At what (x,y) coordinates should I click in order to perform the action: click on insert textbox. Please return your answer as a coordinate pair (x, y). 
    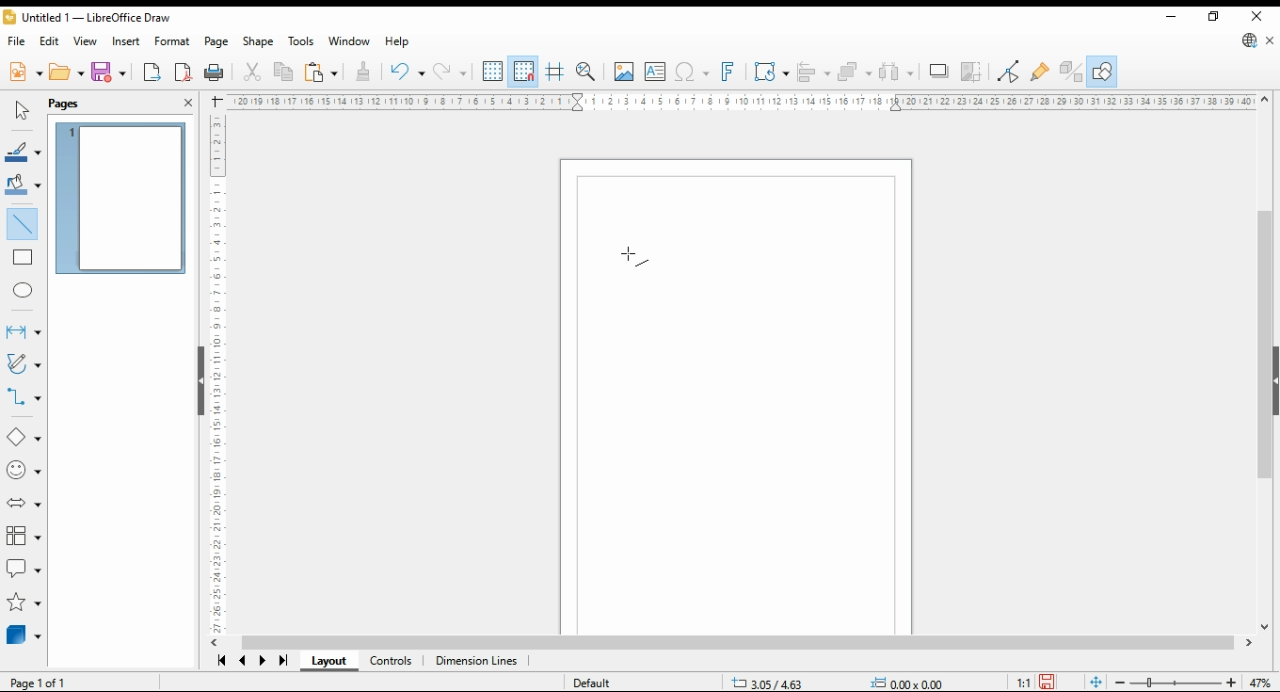
    Looking at the image, I should click on (655, 73).